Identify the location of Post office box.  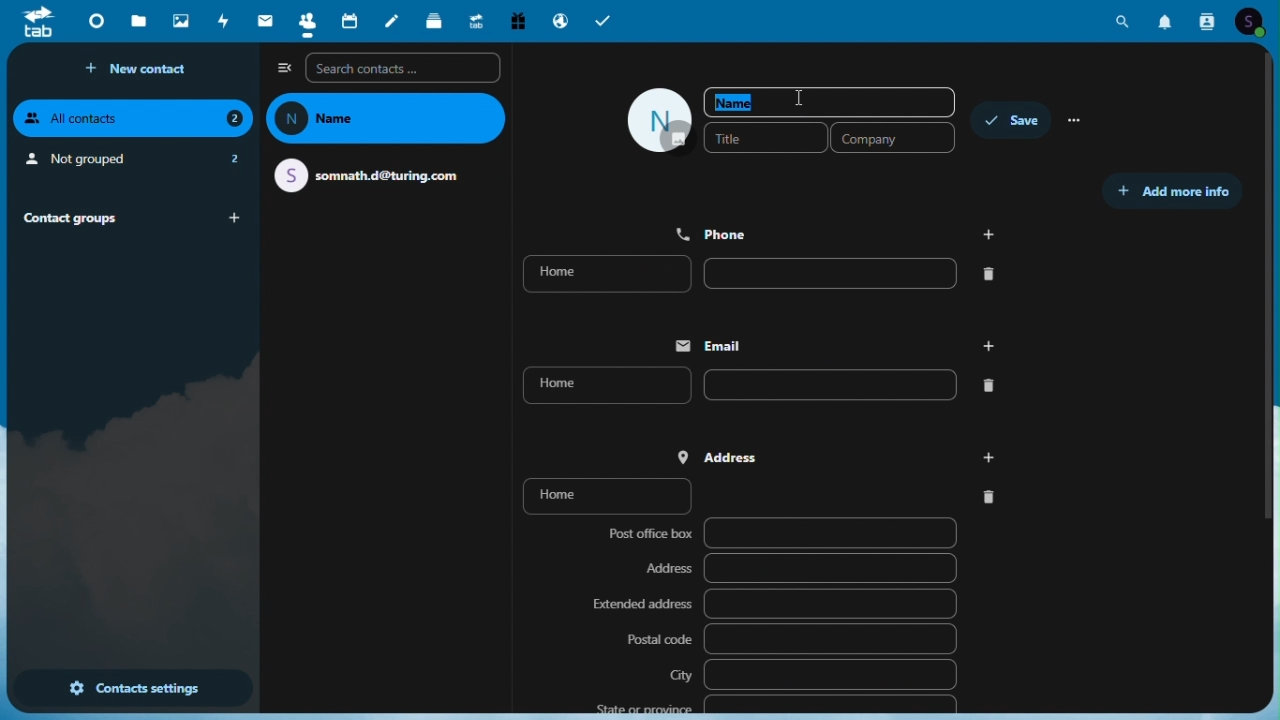
(778, 535).